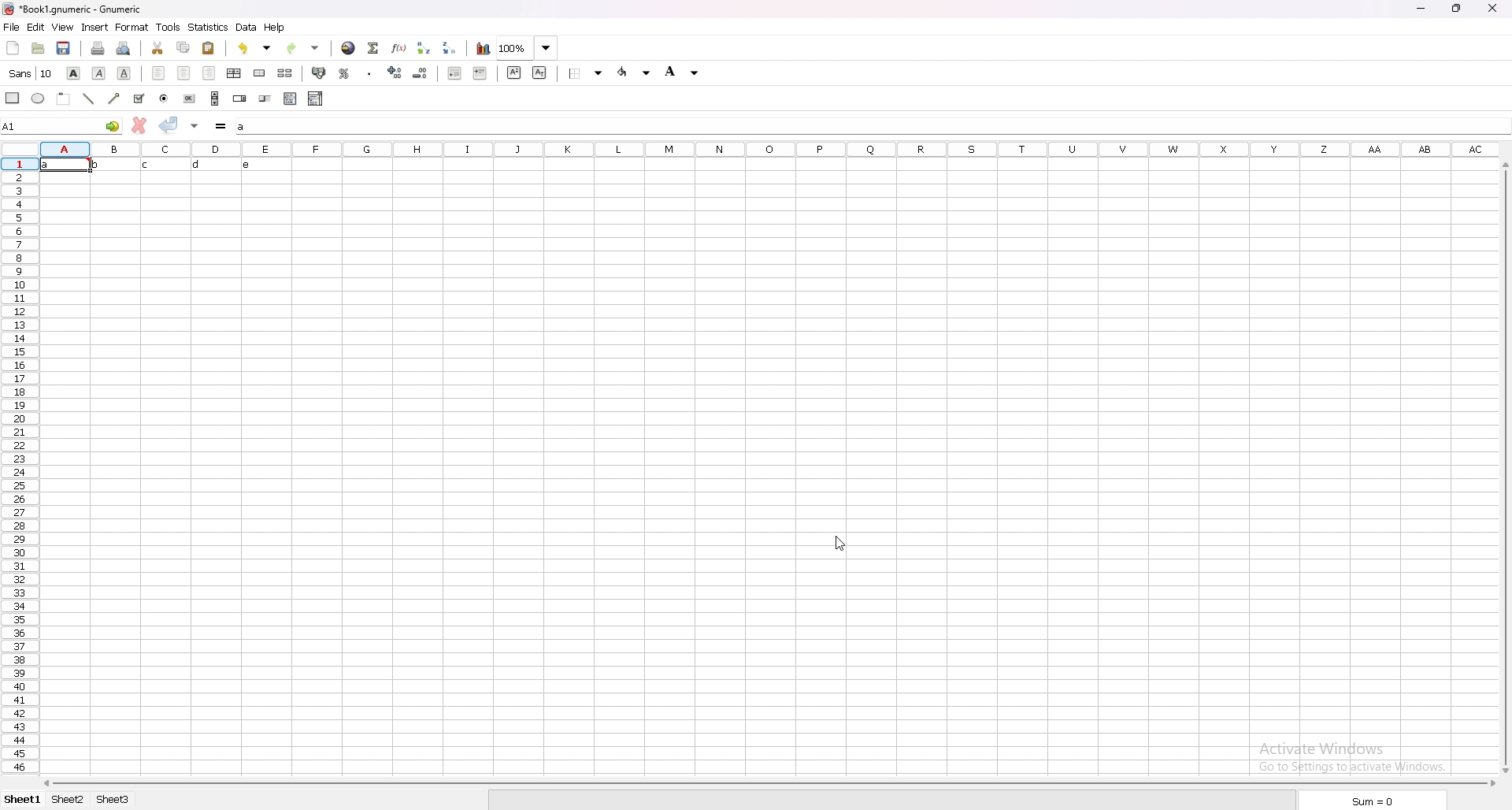 The width and height of the screenshot is (1512, 810). Describe the element at coordinates (421, 73) in the screenshot. I see `decrease decimals` at that location.